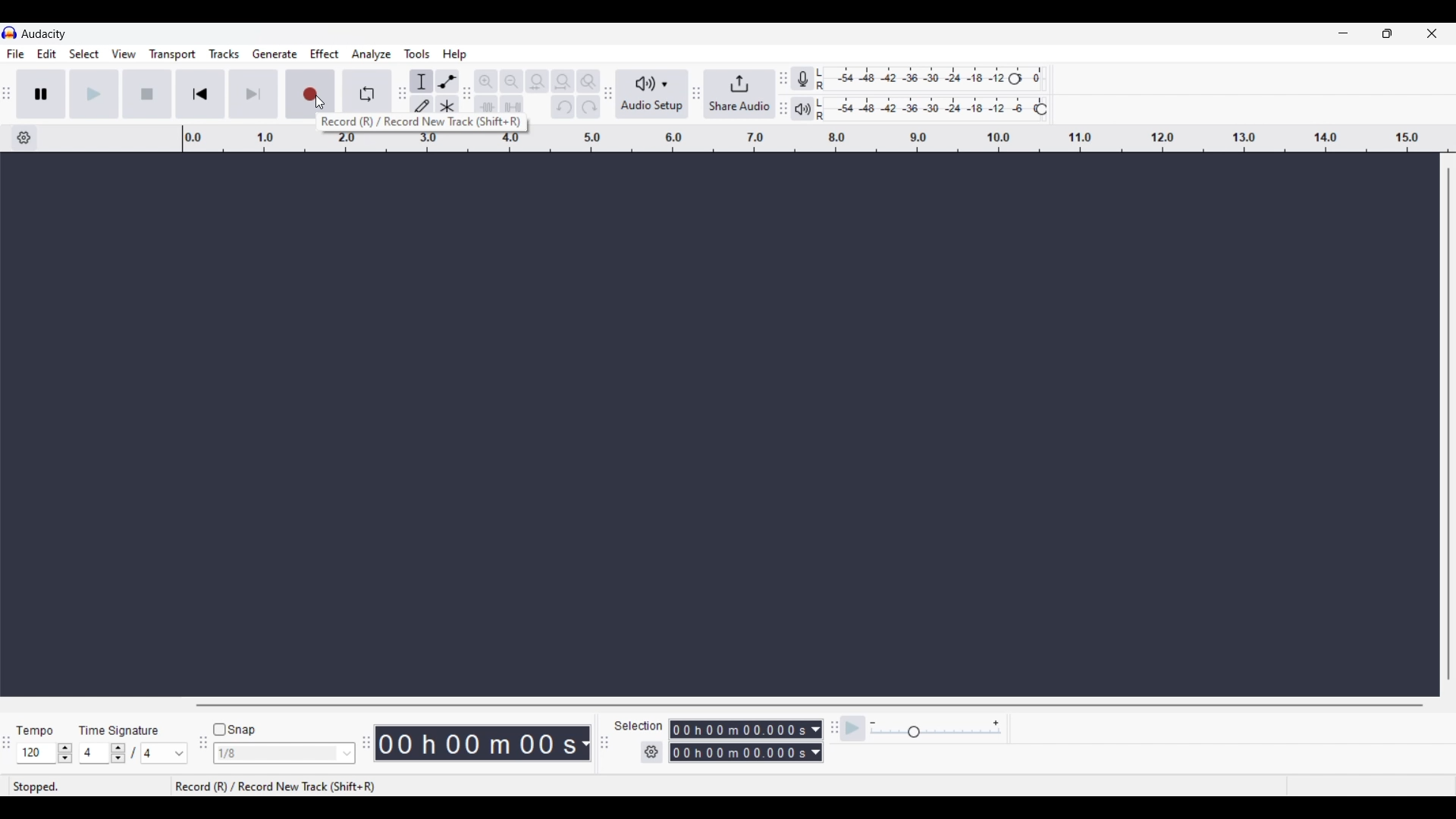  What do you see at coordinates (65, 753) in the screenshot?
I see `Increase/Decrease tempo` at bounding box center [65, 753].